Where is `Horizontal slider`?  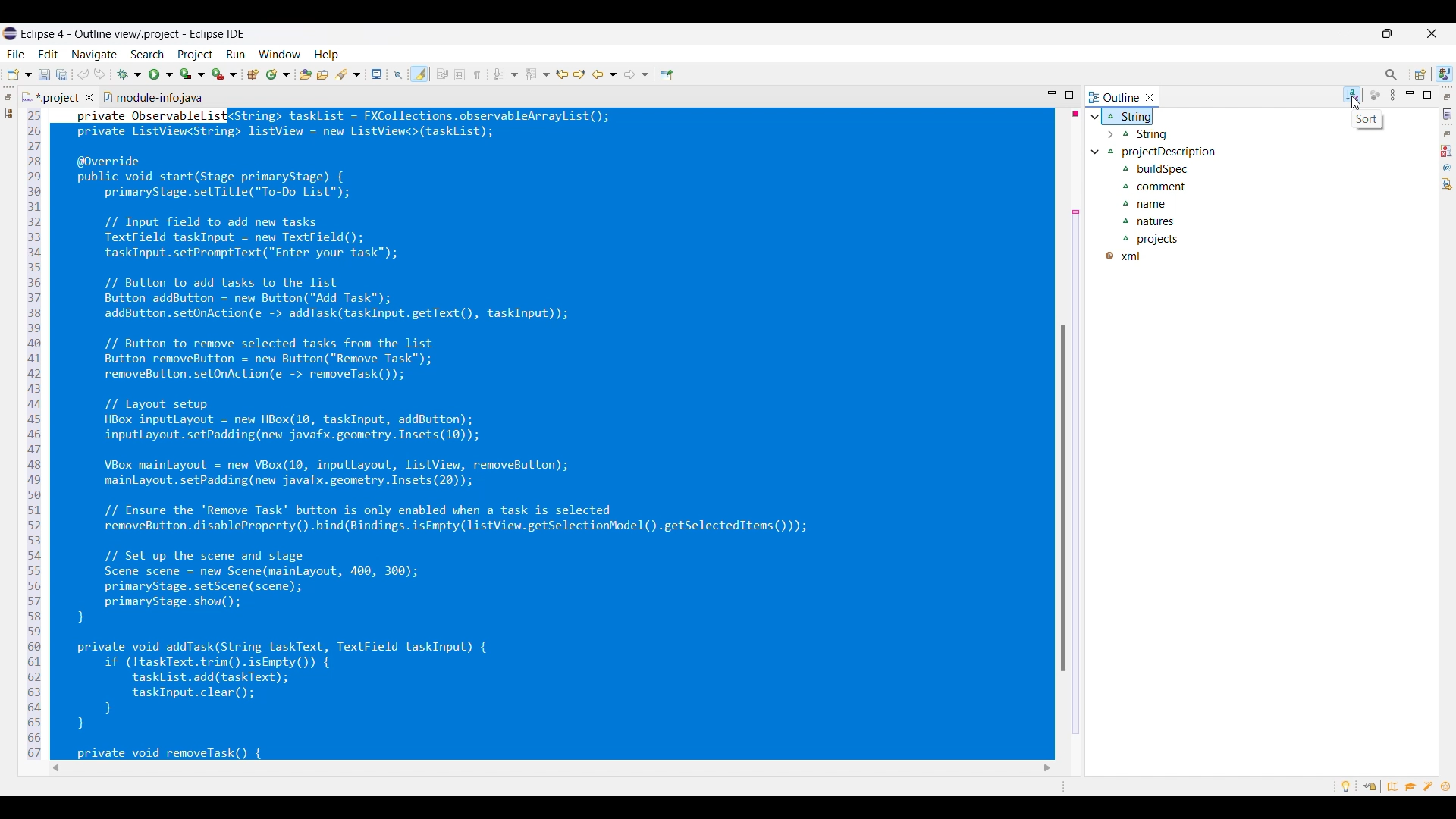
Horizontal slider is located at coordinates (730, 768).